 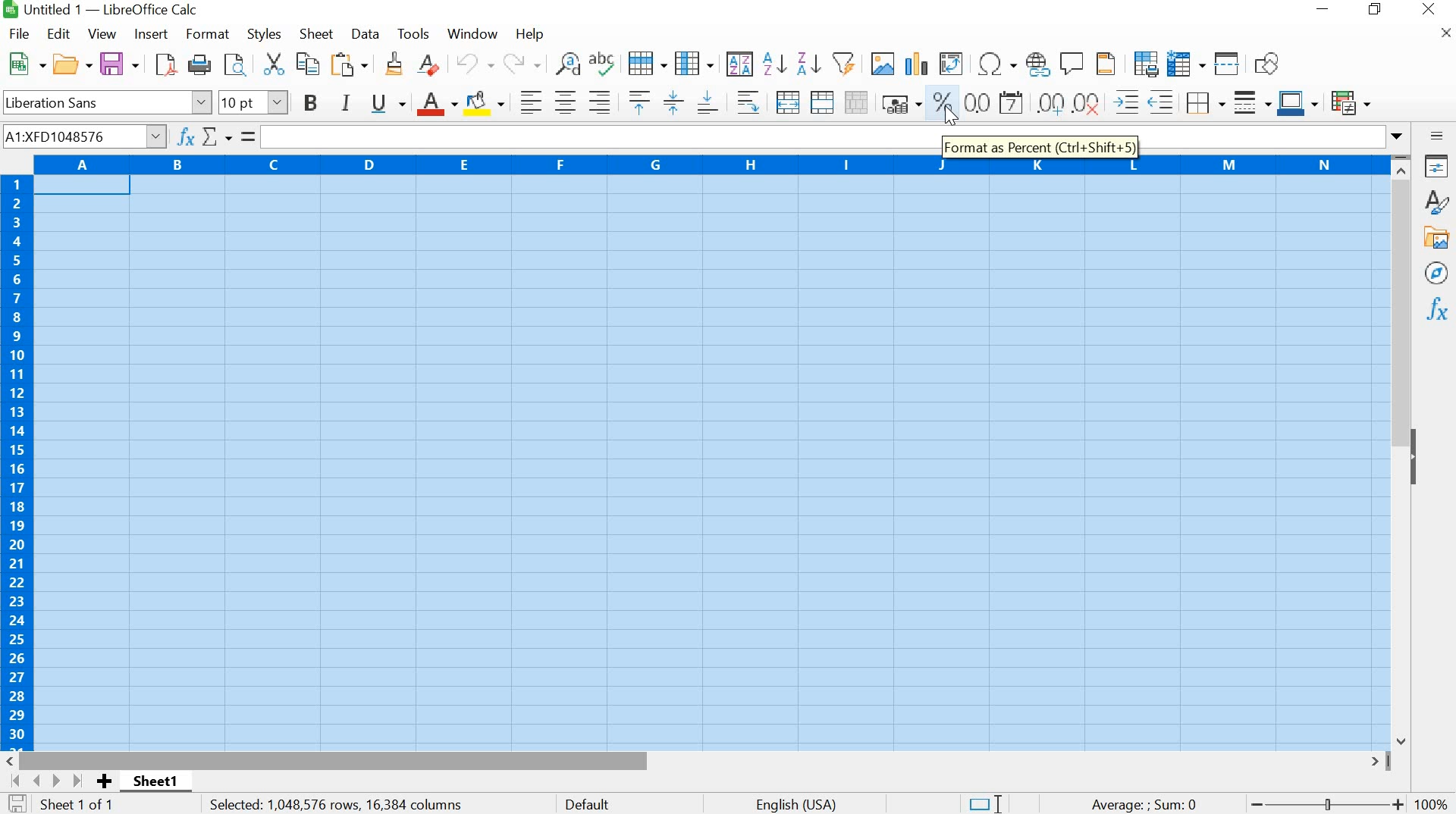 What do you see at coordinates (18, 35) in the screenshot?
I see `FILE` at bounding box center [18, 35].